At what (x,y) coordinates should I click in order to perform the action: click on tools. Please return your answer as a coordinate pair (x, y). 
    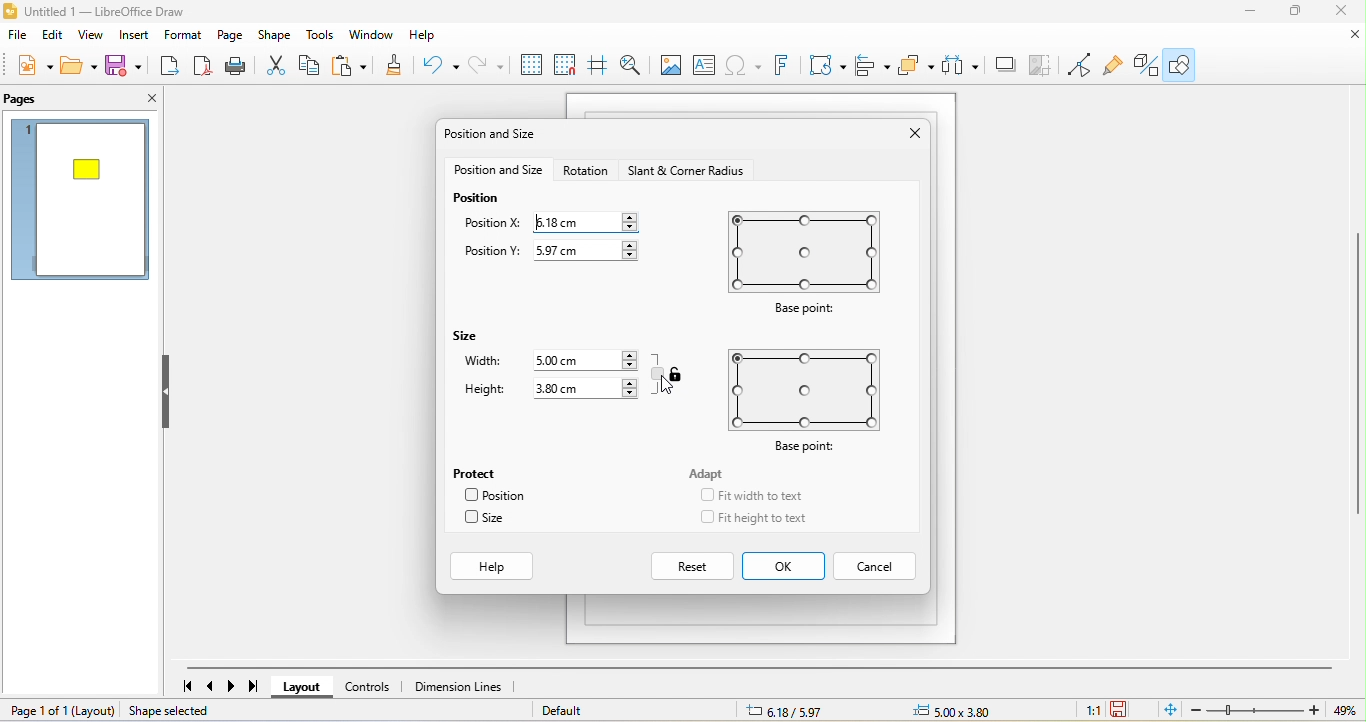
    Looking at the image, I should click on (321, 36).